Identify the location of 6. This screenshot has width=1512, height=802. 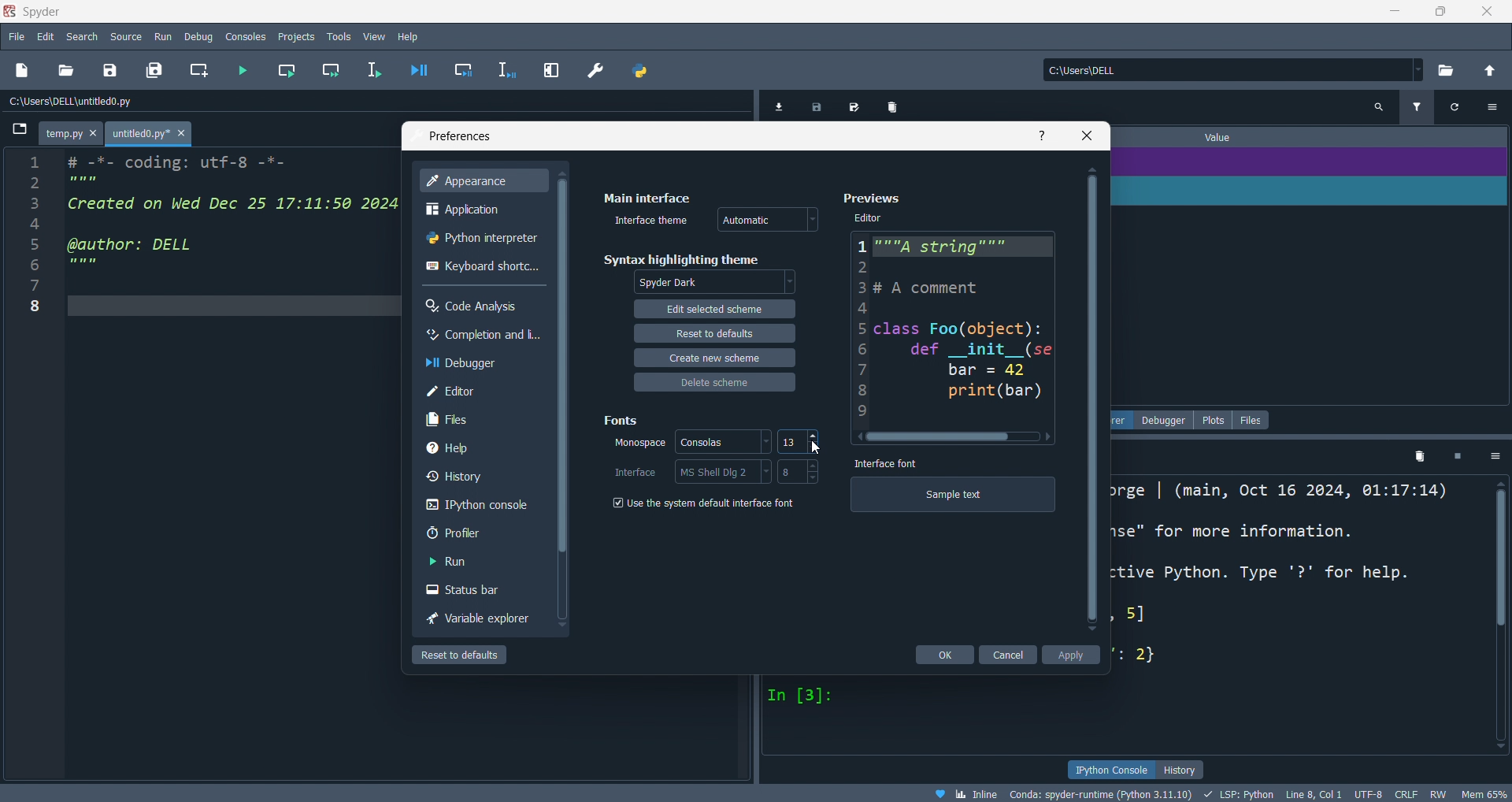
(72, 266).